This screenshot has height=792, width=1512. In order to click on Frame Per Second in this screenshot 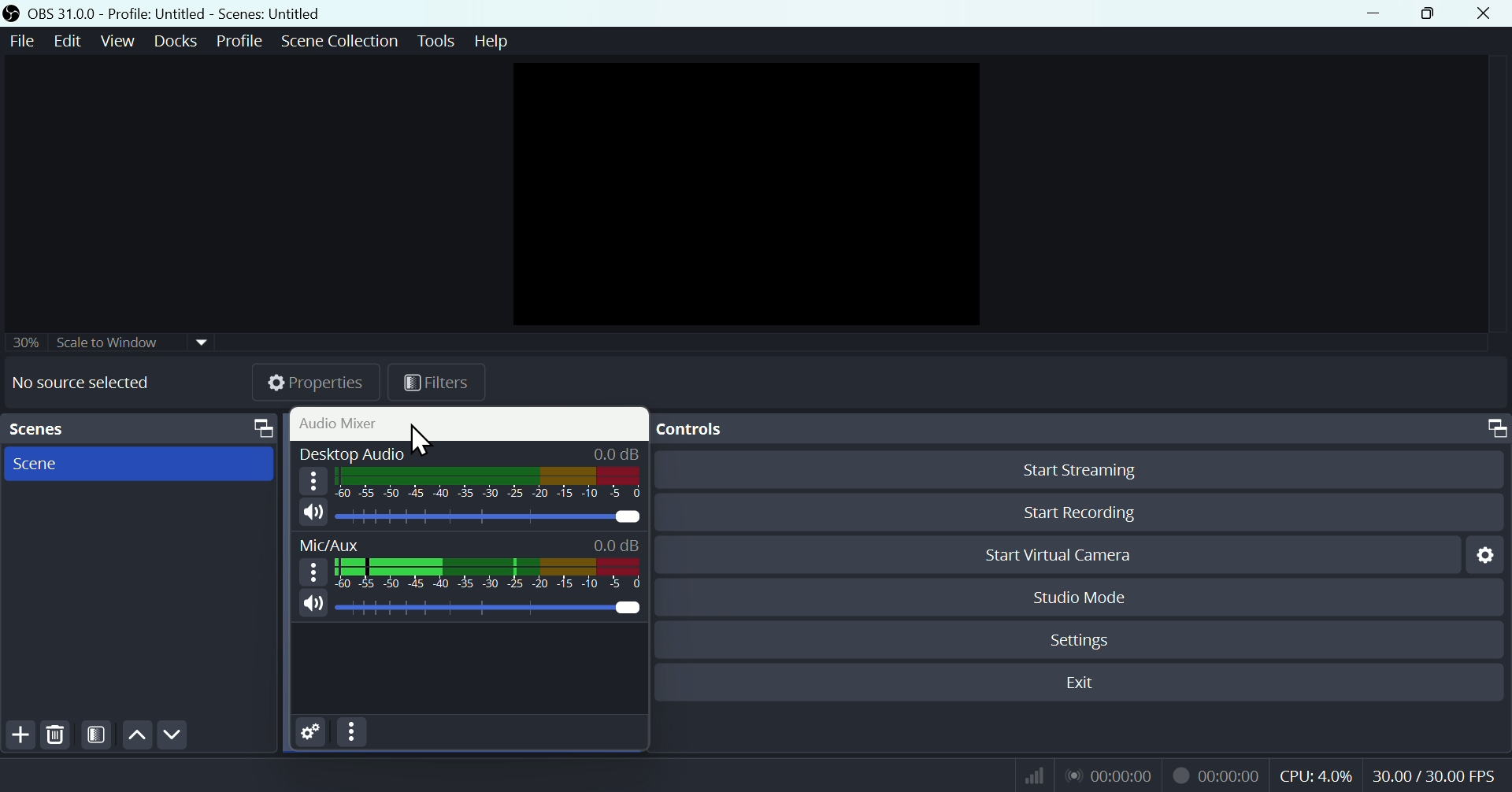, I will do `click(1435, 775)`.